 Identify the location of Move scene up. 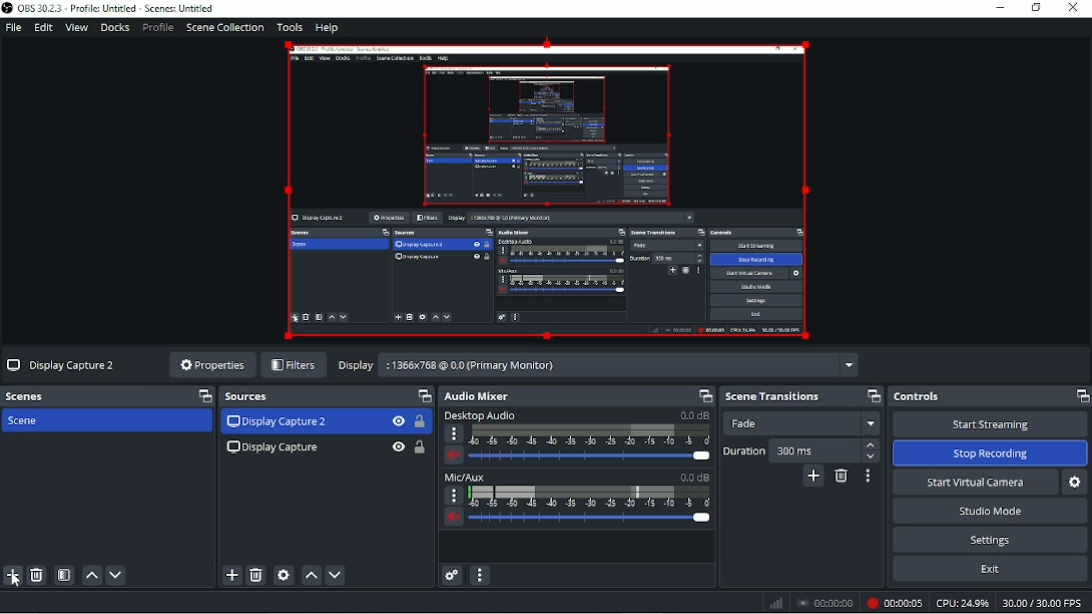
(91, 575).